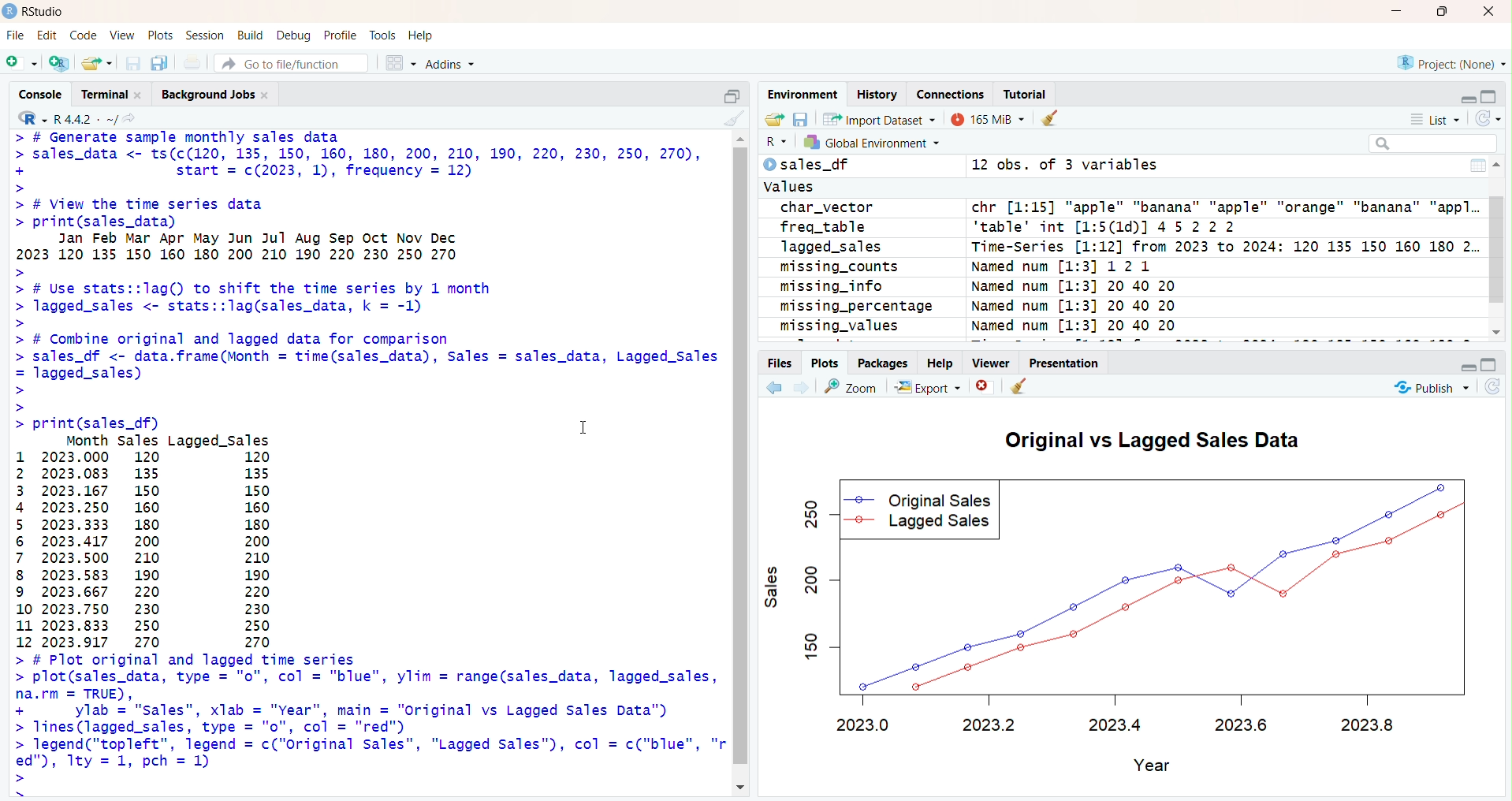 The height and width of the screenshot is (801, 1512). What do you see at coordinates (1143, 440) in the screenshot?
I see `Original vs Lagged Sales Data` at bounding box center [1143, 440].